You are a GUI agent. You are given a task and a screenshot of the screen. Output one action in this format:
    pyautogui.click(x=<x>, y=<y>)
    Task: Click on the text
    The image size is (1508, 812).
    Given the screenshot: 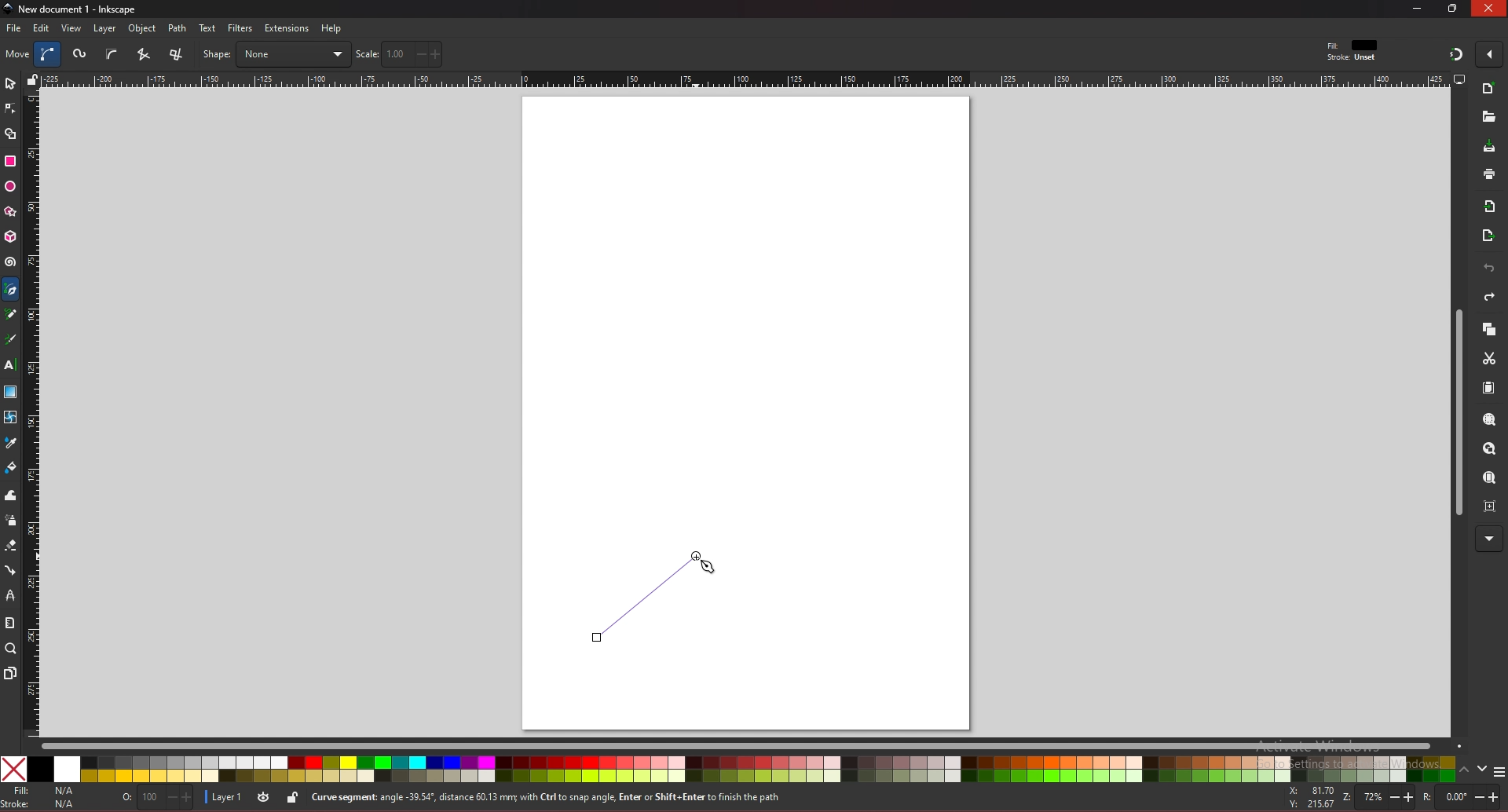 What is the action you would take?
    pyautogui.click(x=9, y=365)
    